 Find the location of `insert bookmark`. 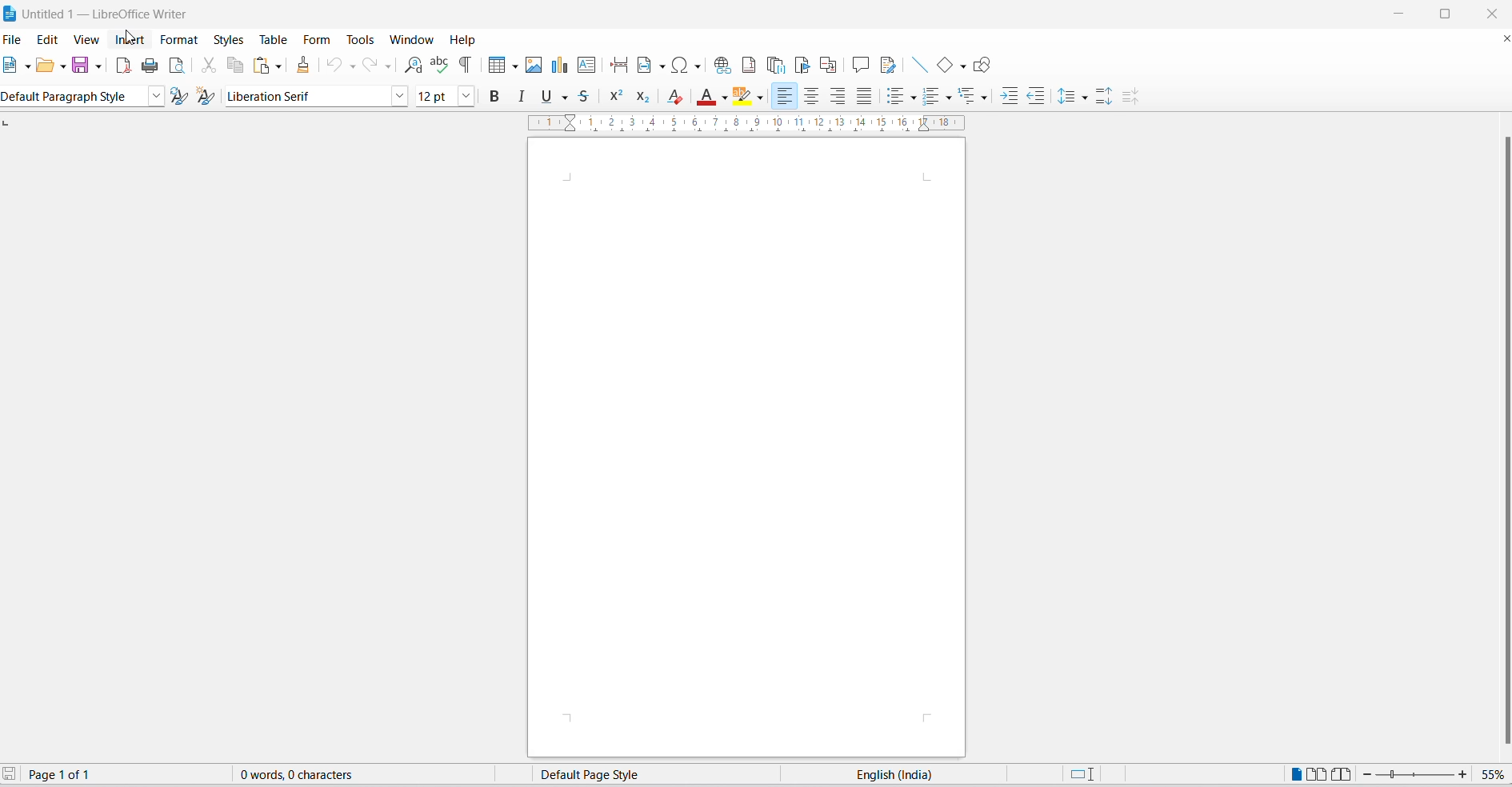

insert bookmark is located at coordinates (801, 65).